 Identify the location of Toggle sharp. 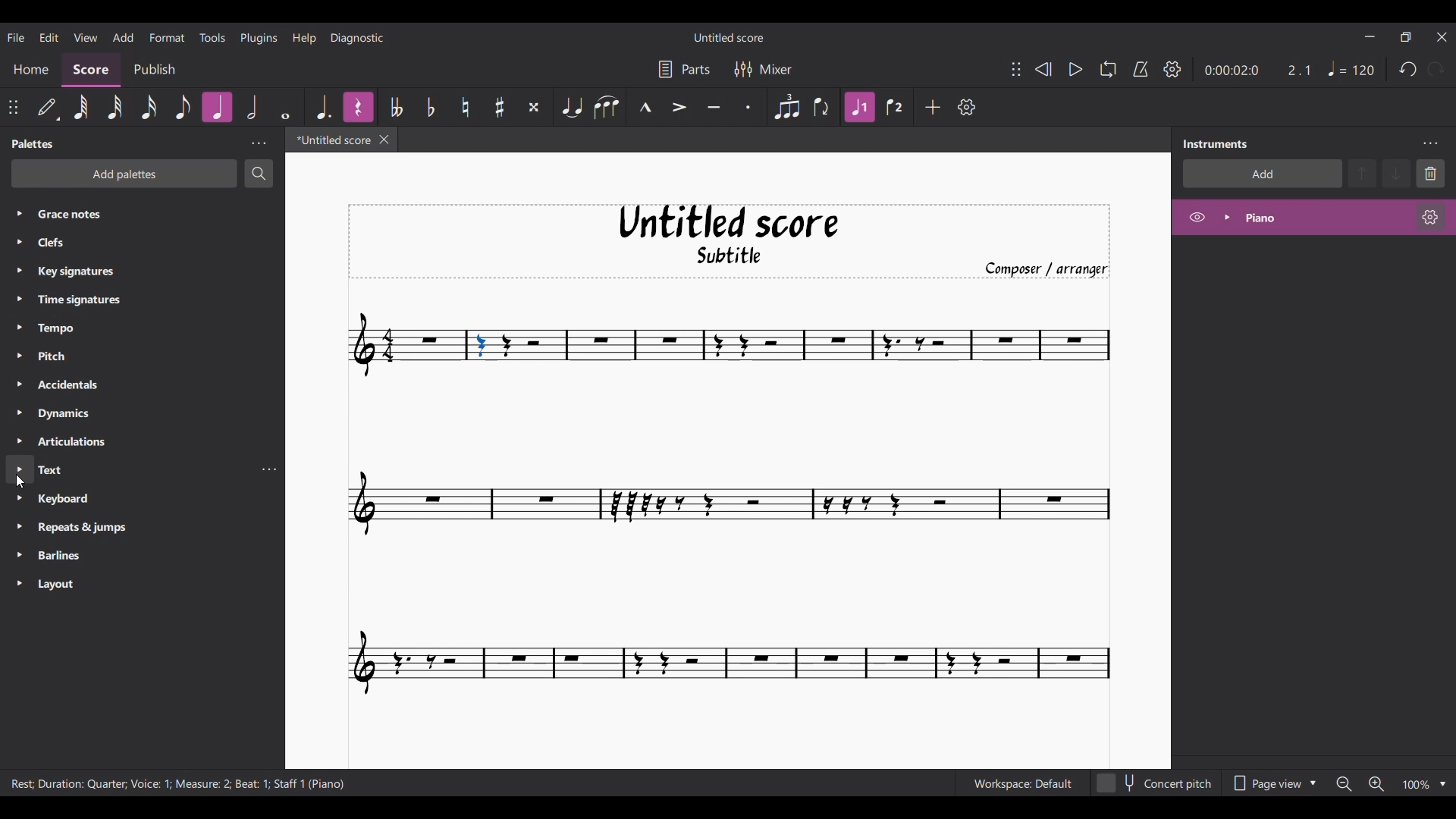
(500, 107).